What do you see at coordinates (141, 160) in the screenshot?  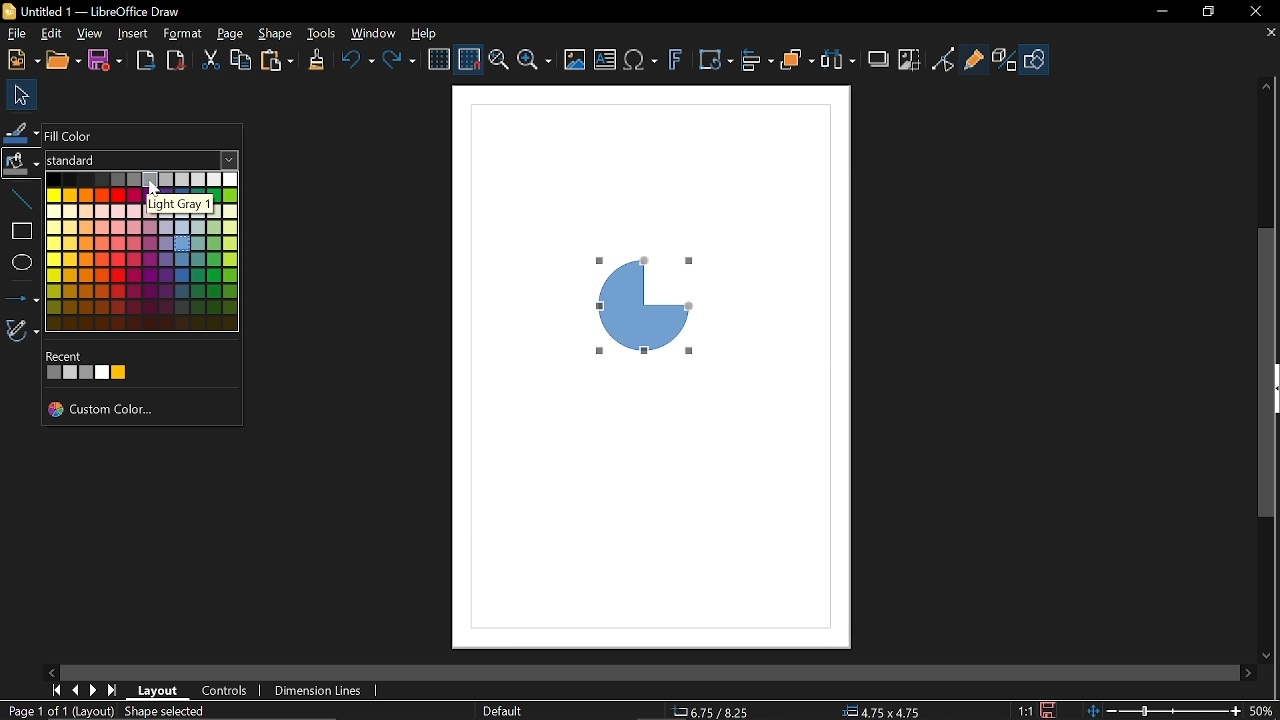 I see `Color format` at bounding box center [141, 160].